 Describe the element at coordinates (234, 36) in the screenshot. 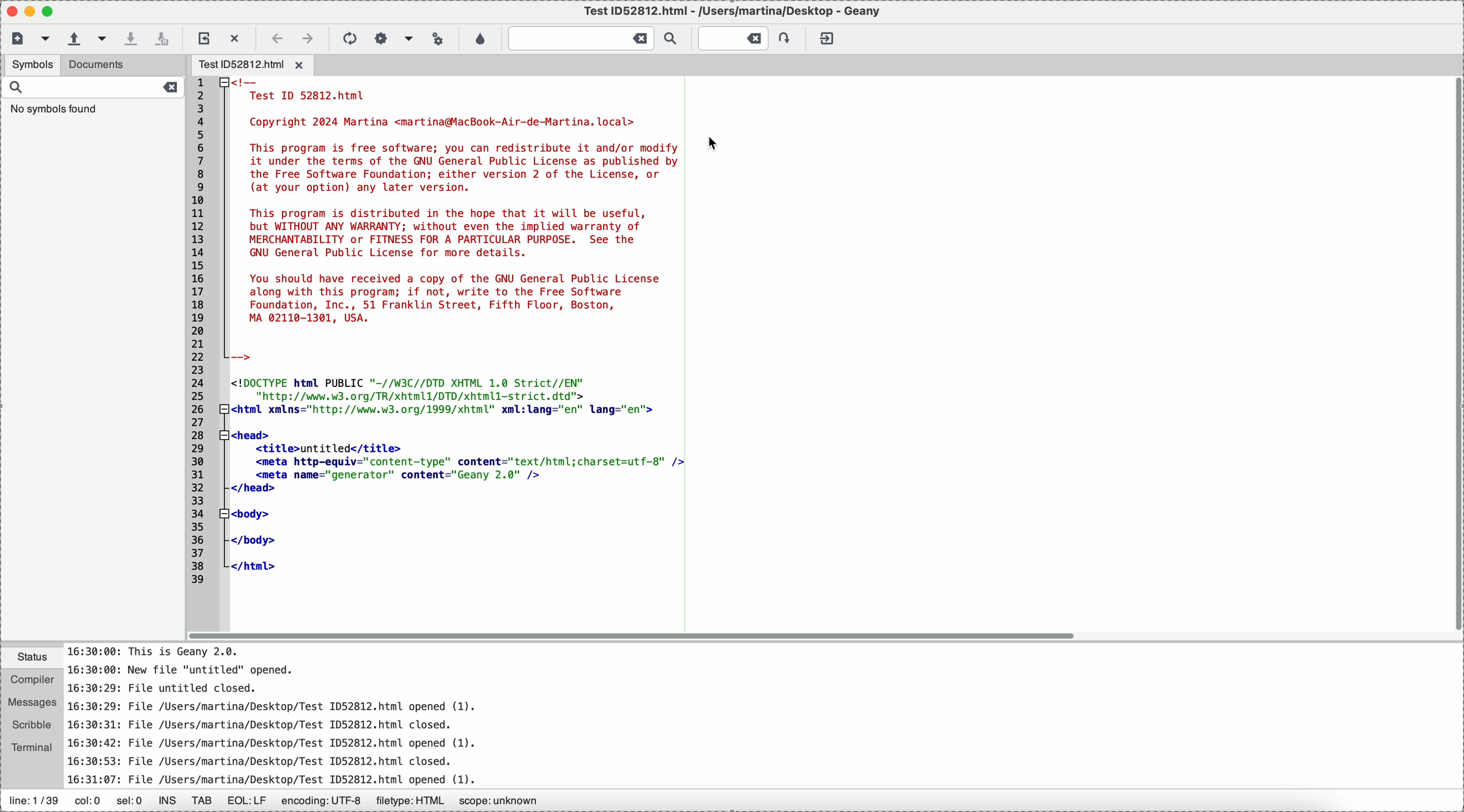

I see `close the current file` at that location.